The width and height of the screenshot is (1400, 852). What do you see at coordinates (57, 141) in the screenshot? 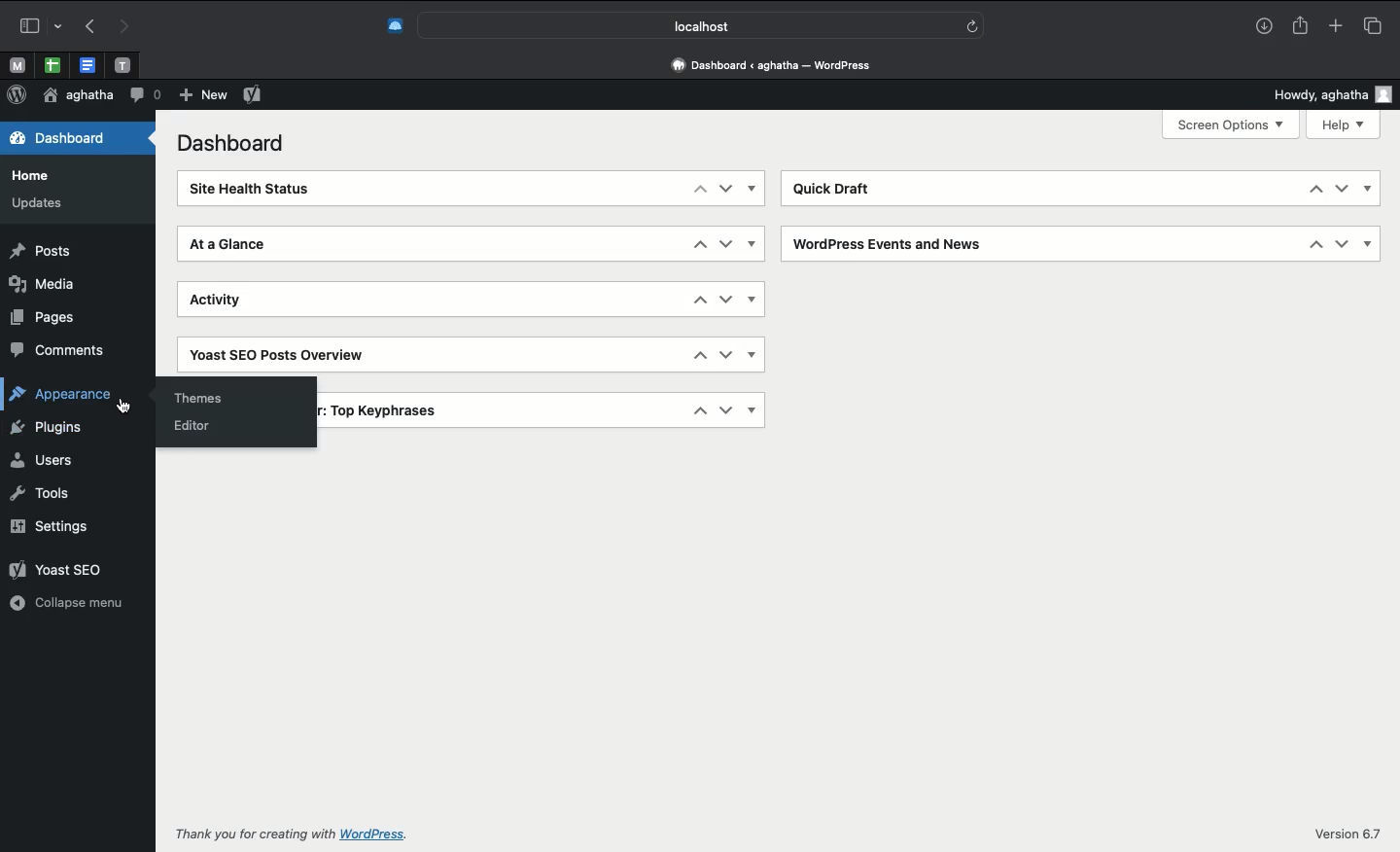
I see `Dashboard` at bounding box center [57, 141].